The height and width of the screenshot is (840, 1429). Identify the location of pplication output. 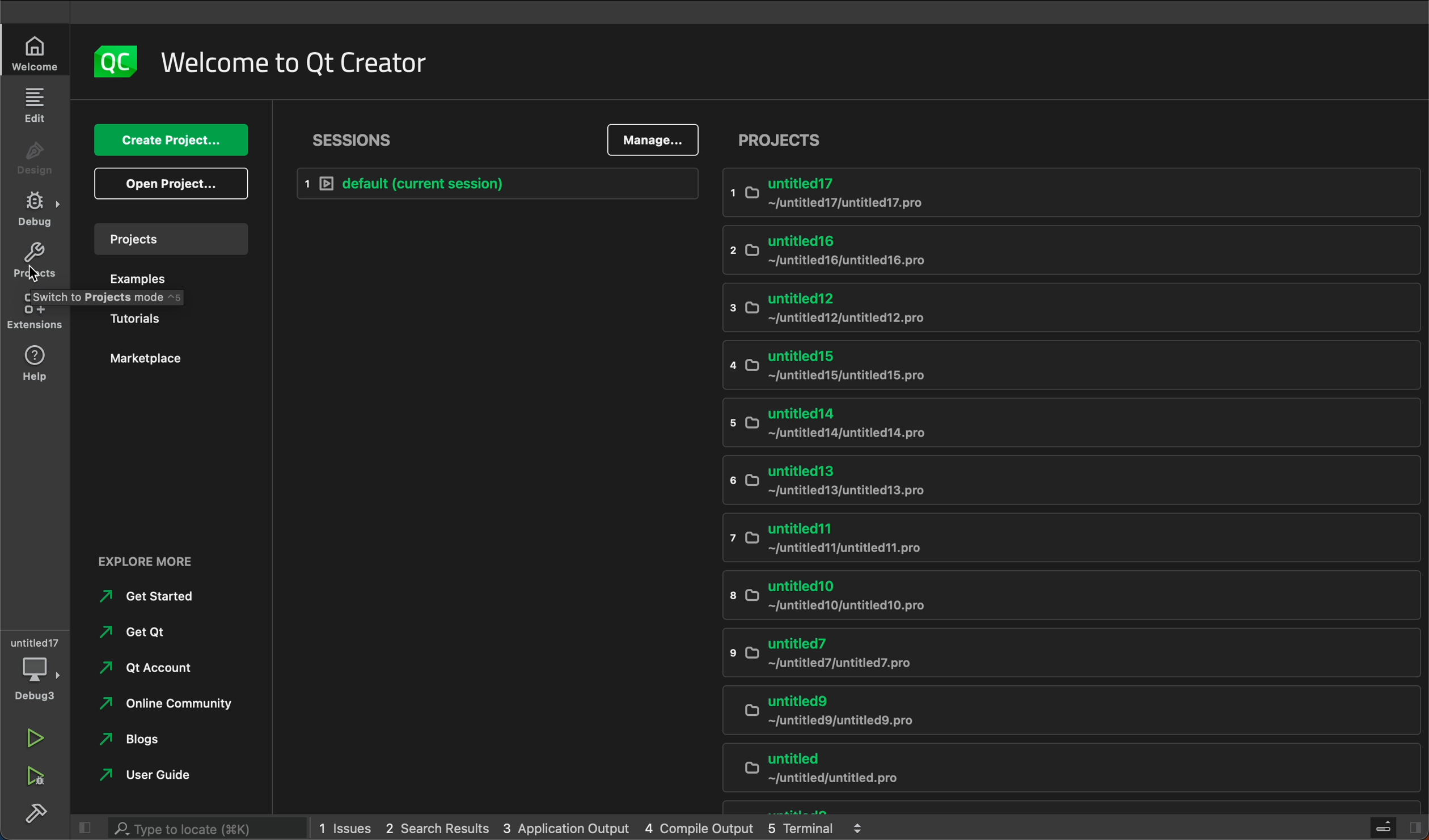
(565, 828).